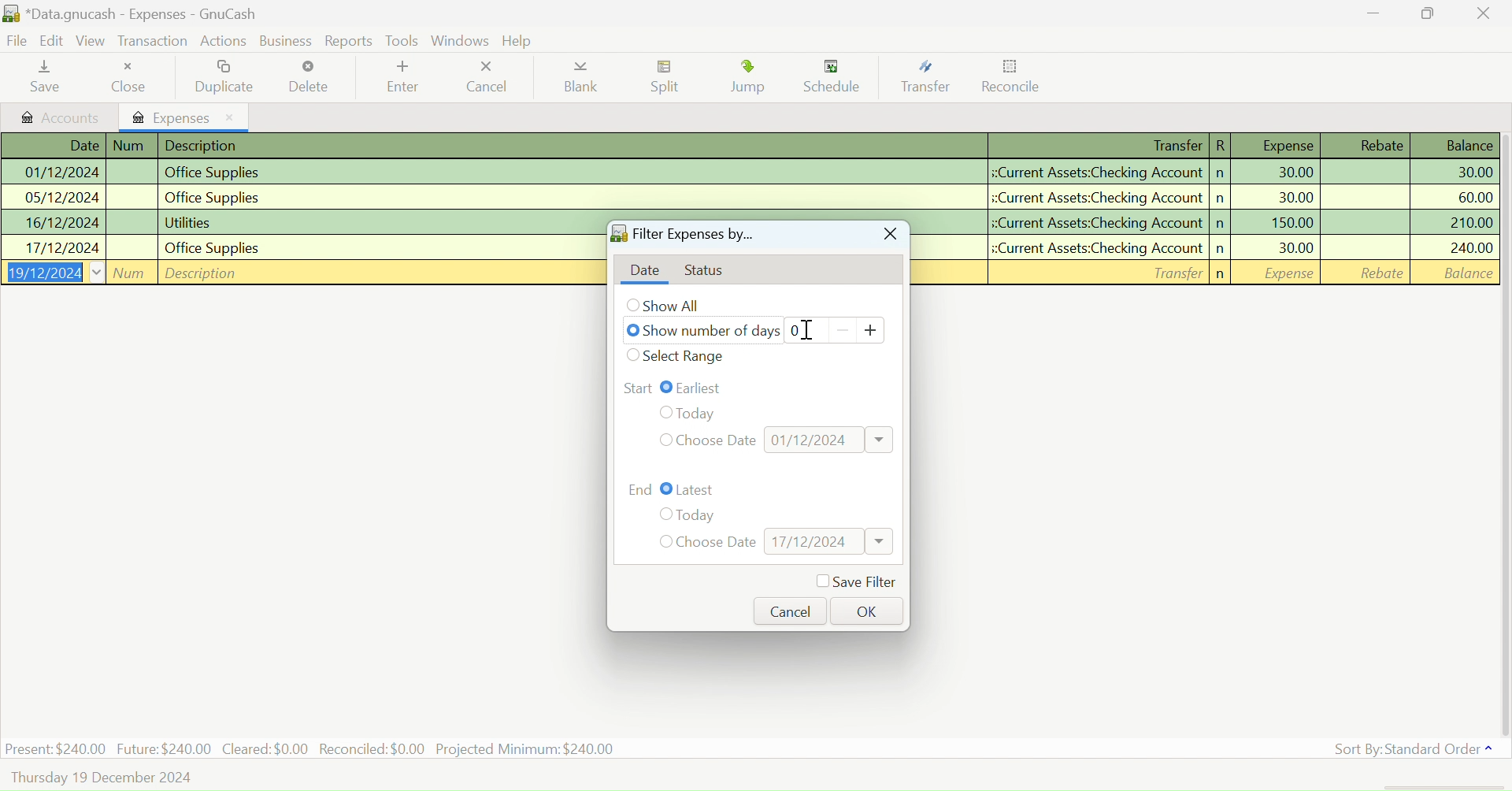 This screenshot has width=1512, height=791. Describe the element at coordinates (401, 79) in the screenshot. I see `Enter` at that location.